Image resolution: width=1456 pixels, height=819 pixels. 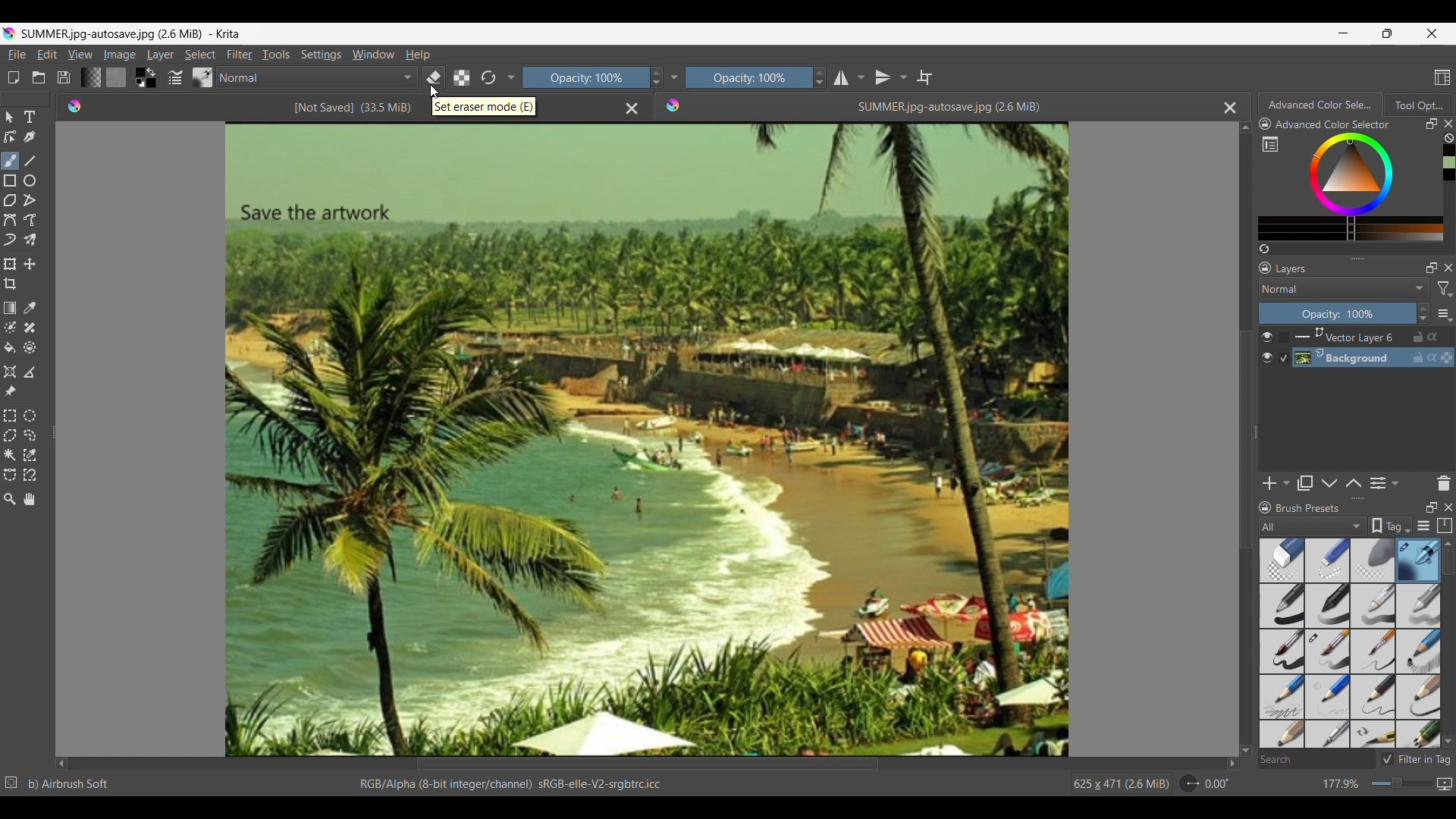 I want to click on Advanced Color Selector, so click(x=1336, y=125).